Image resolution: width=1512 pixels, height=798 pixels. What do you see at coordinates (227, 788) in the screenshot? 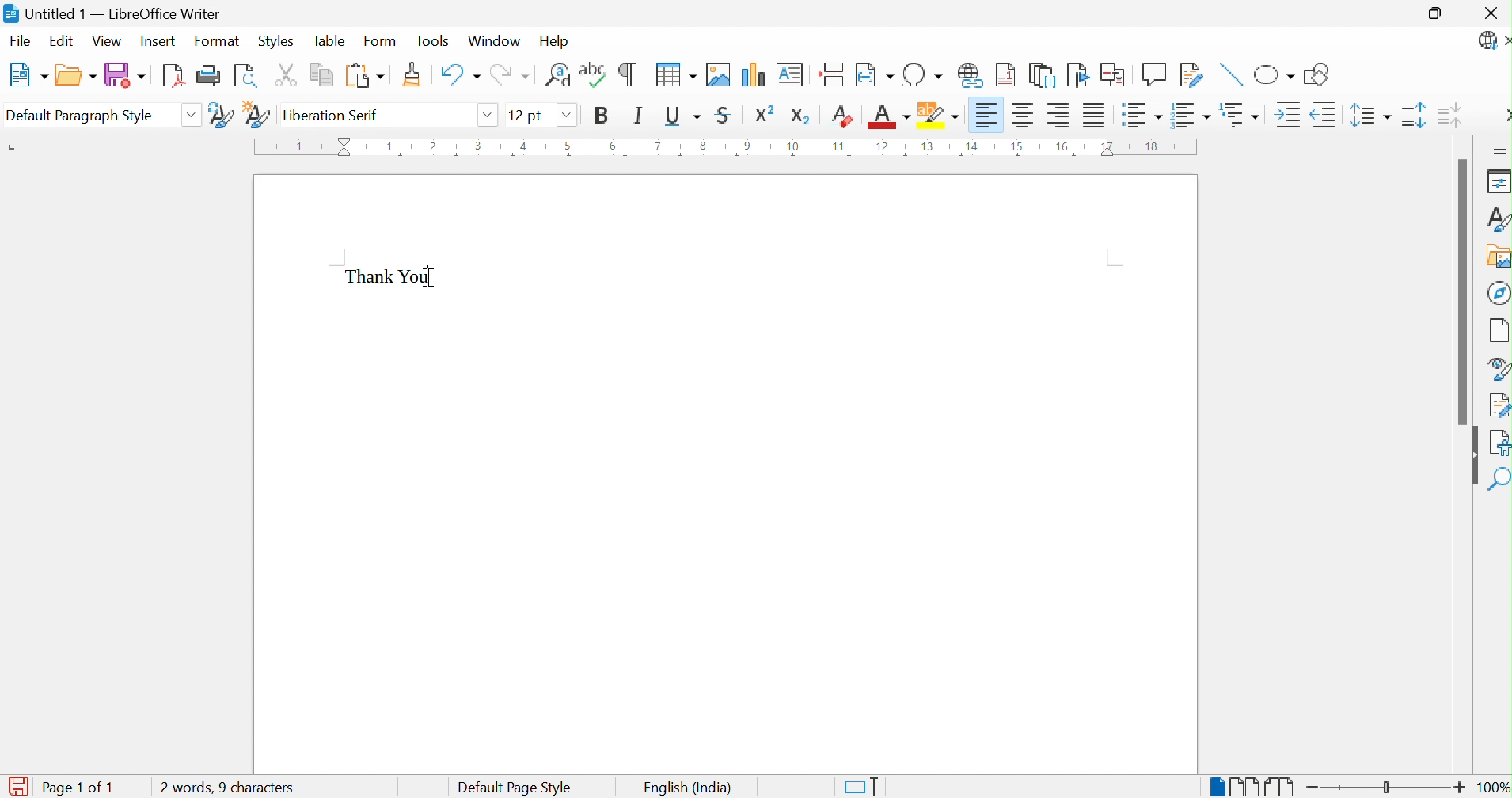
I see `0 words, 0 characters` at bounding box center [227, 788].